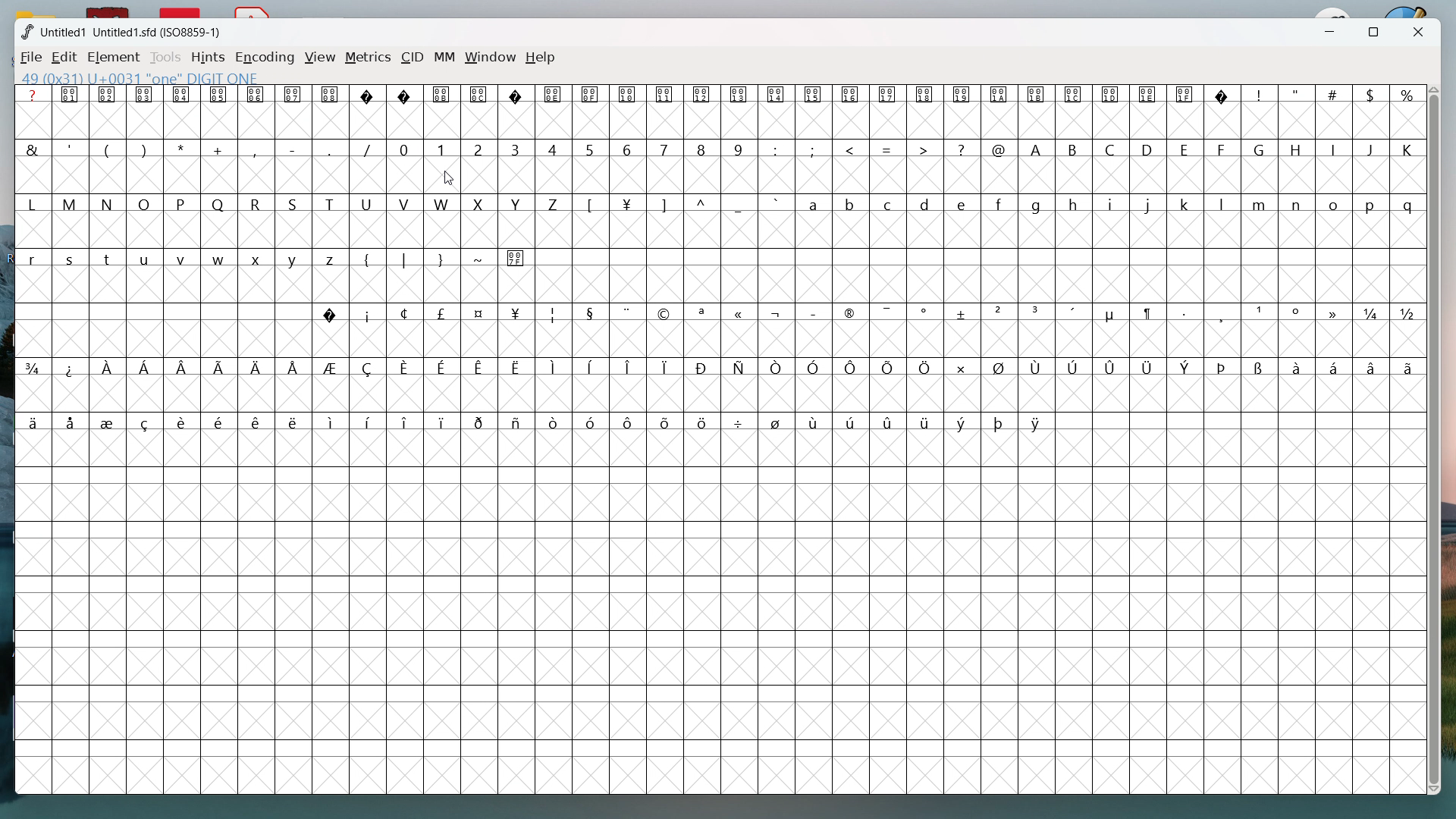 The width and height of the screenshot is (1456, 819). I want to click on , so click(1149, 95).